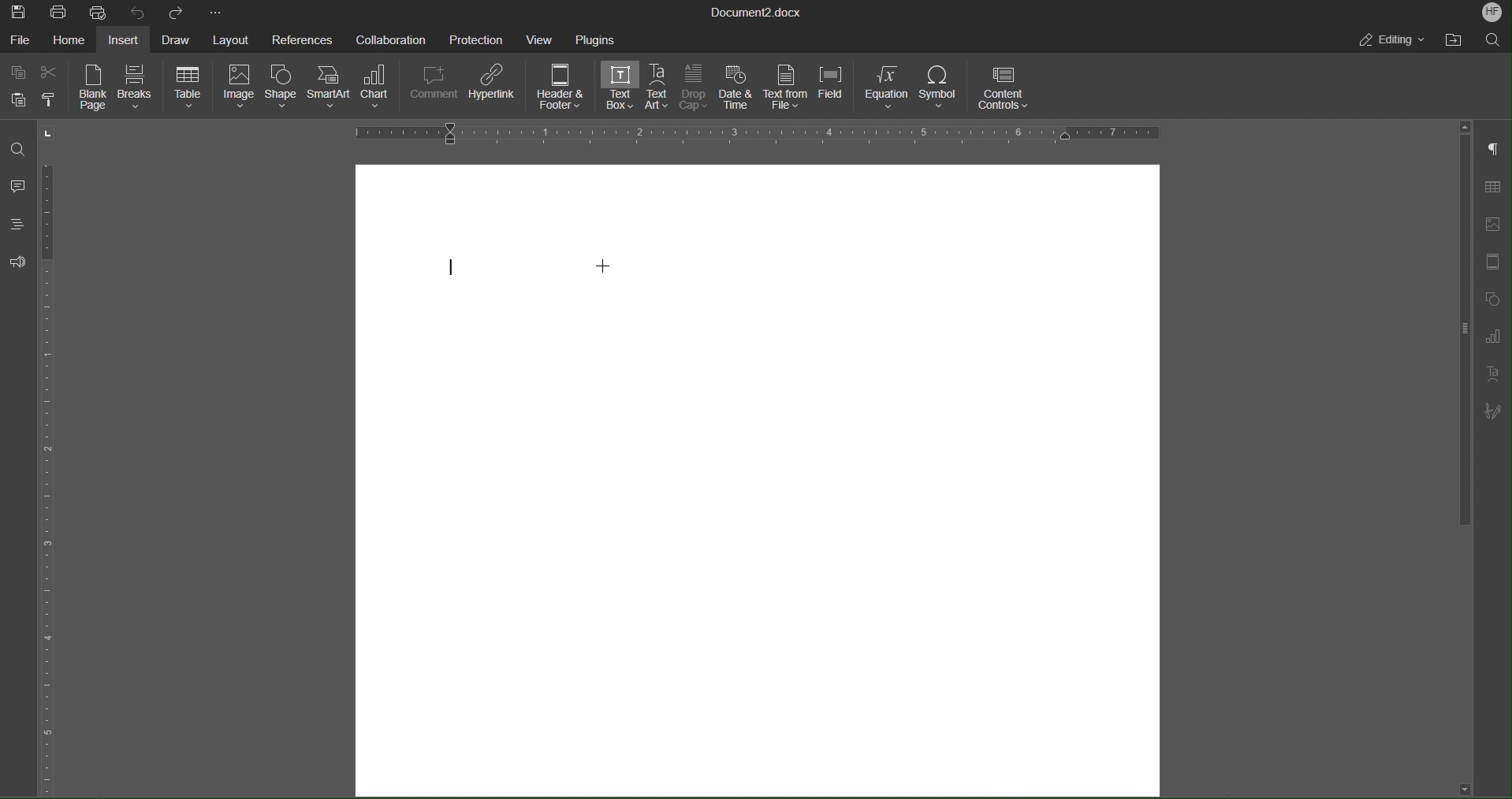 The width and height of the screenshot is (1512, 799). What do you see at coordinates (229, 39) in the screenshot?
I see `Layout` at bounding box center [229, 39].